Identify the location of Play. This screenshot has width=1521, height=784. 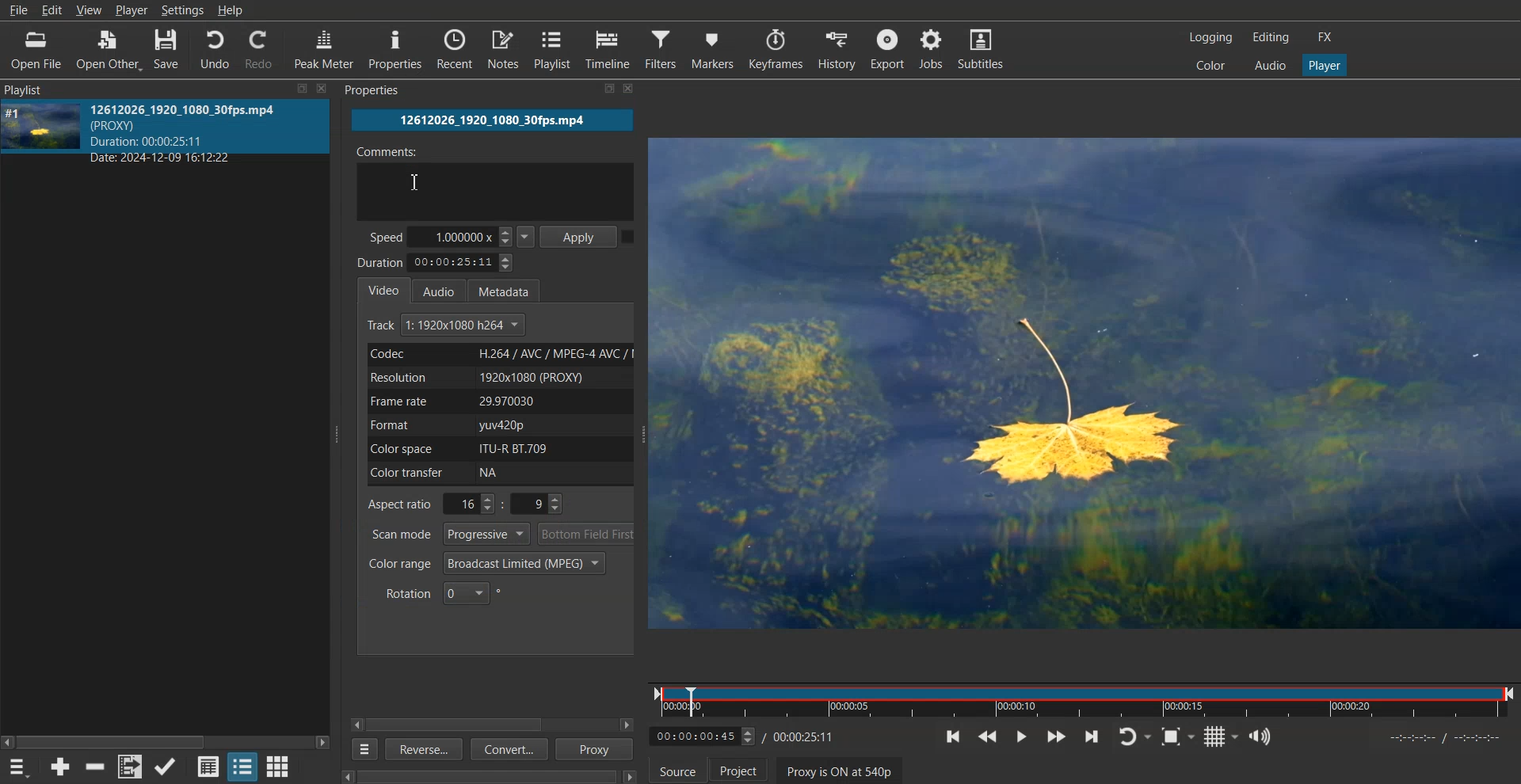
(1020, 736).